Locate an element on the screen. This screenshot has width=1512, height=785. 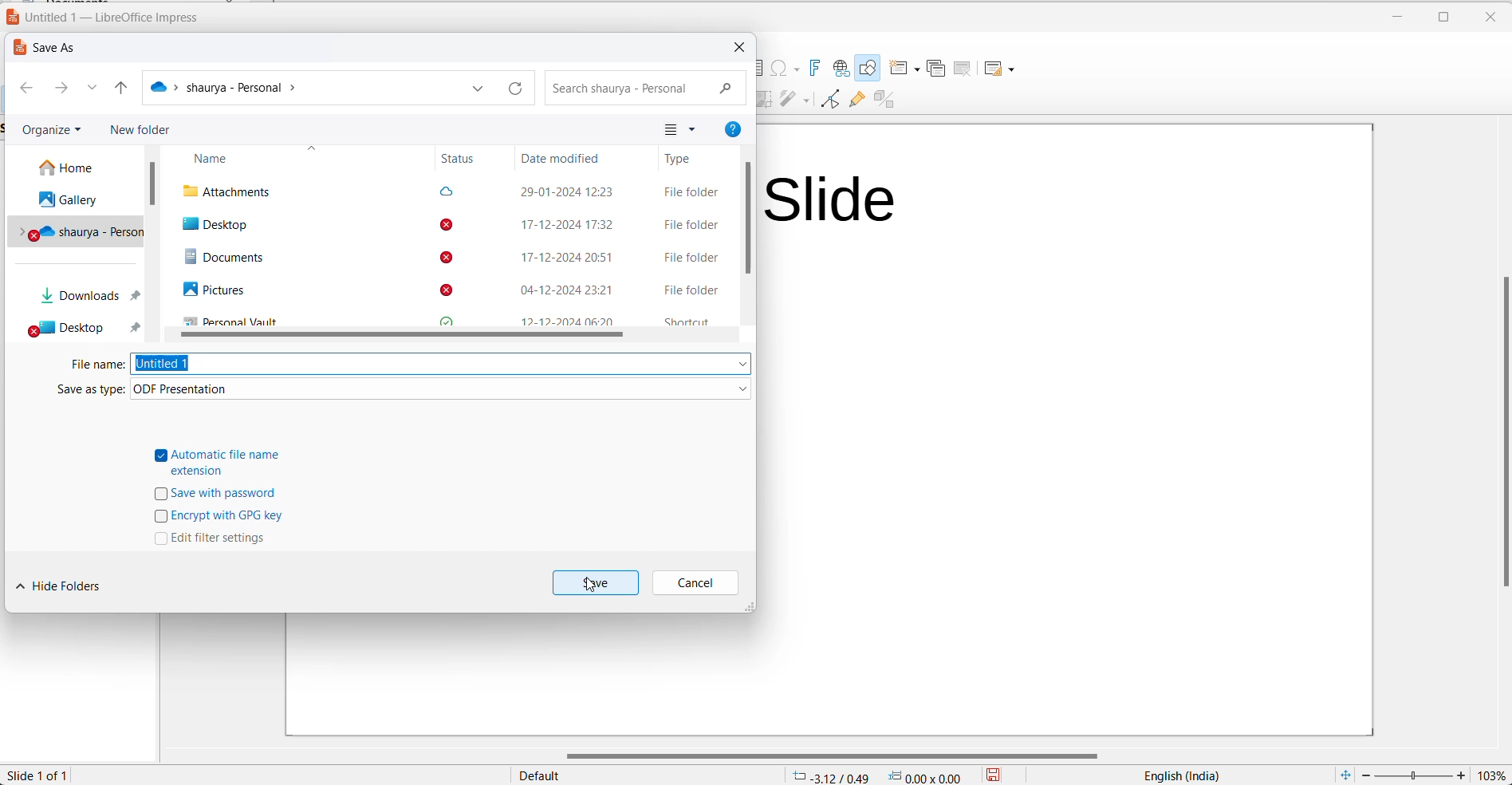
insert fontwork text is located at coordinates (813, 69).